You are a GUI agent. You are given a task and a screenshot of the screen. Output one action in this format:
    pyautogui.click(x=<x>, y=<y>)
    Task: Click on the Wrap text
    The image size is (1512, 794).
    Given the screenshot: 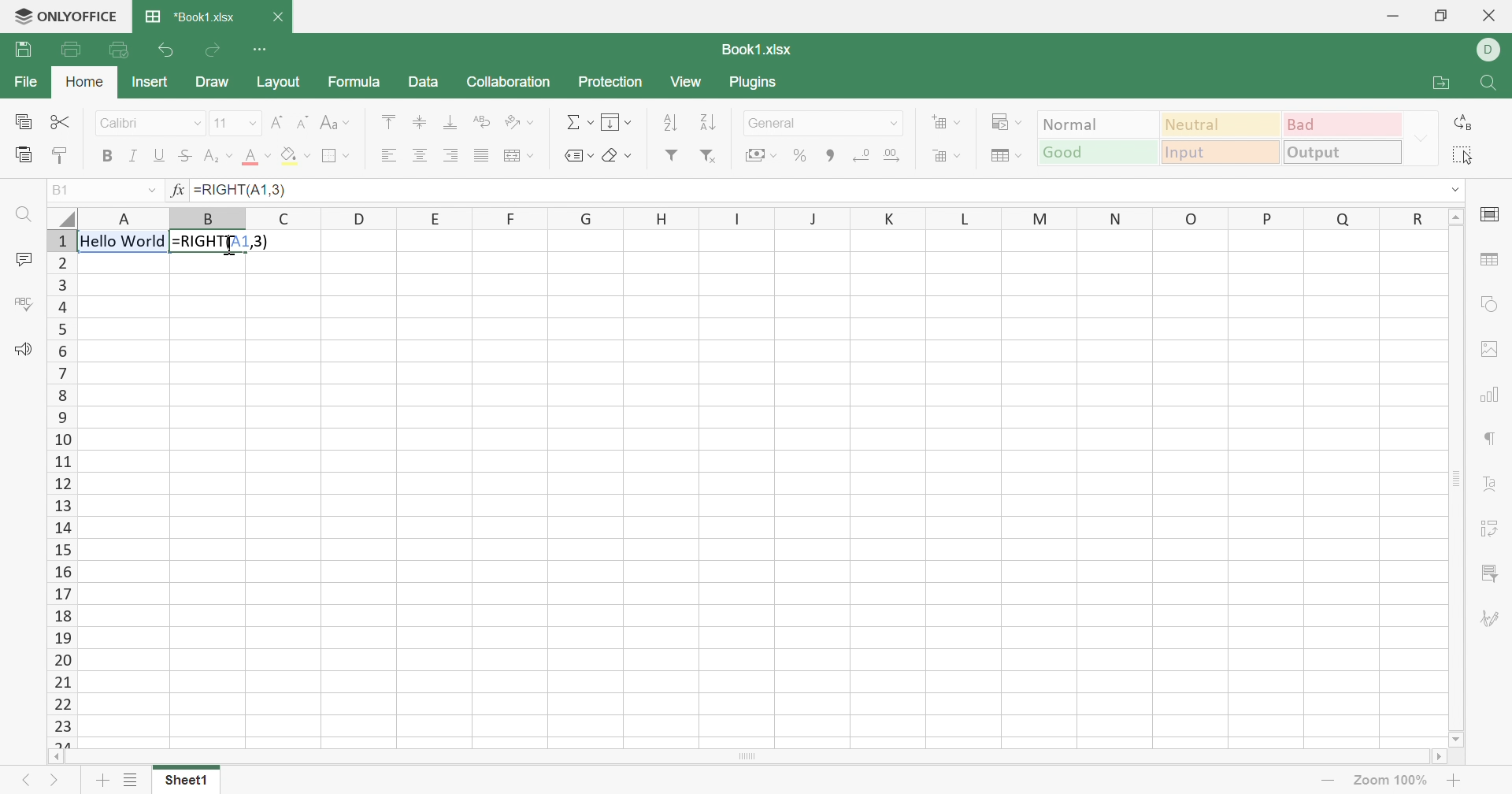 What is the action you would take?
    pyautogui.click(x=518, y=156)
    